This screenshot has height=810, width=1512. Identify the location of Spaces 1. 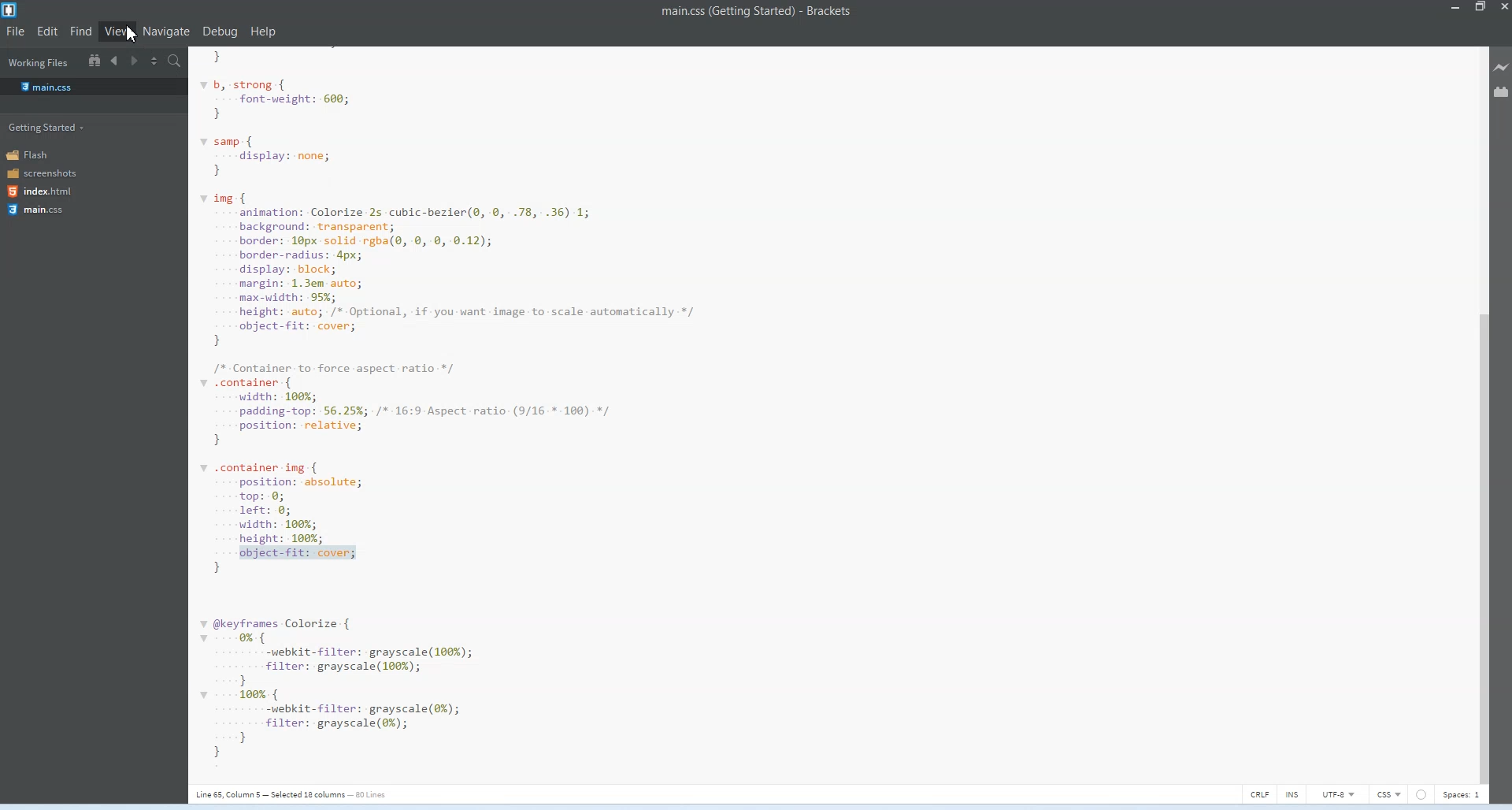
(1465, 793).